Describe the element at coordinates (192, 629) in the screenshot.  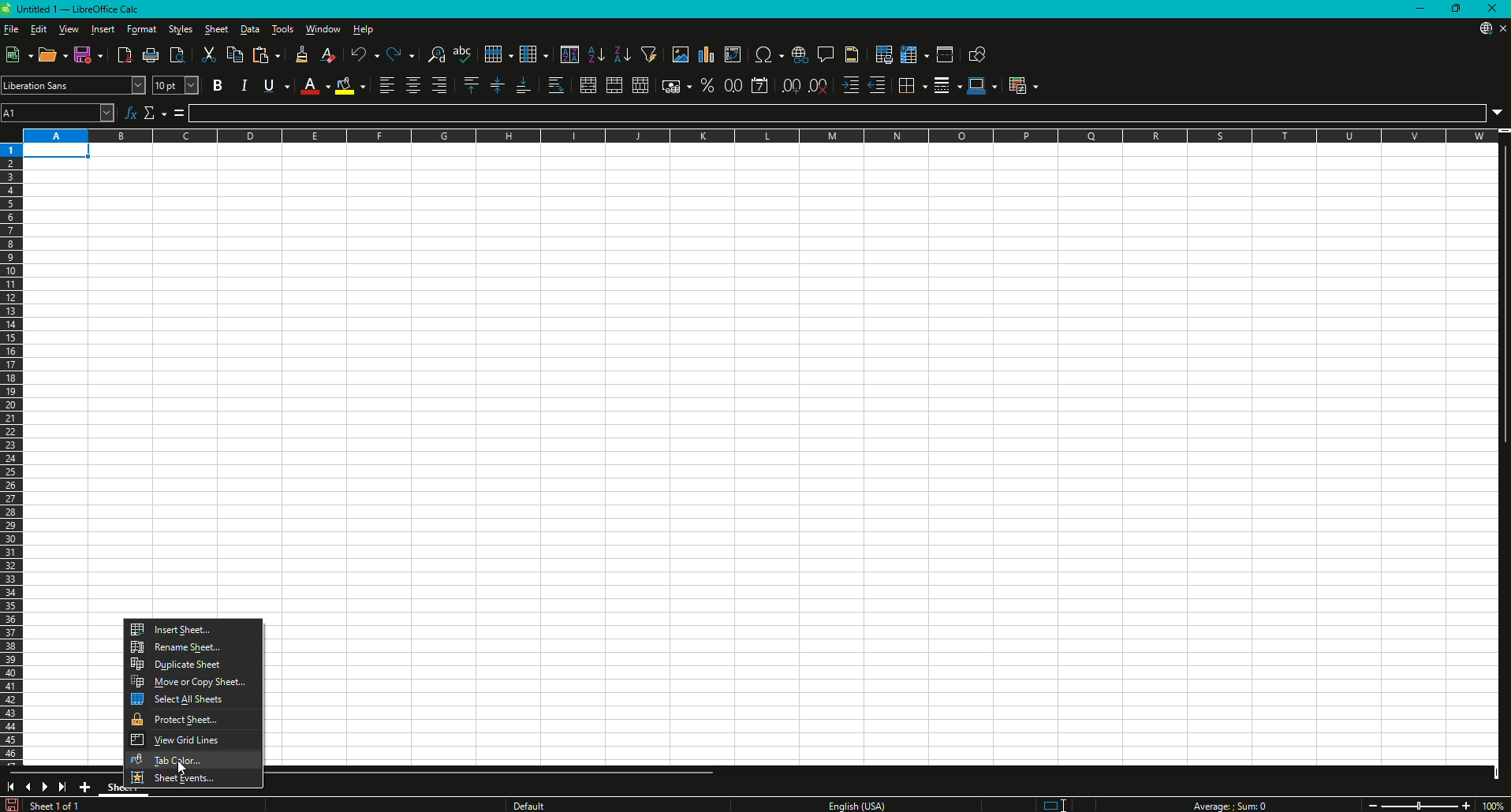
I see `Insert Sheet` at that location.